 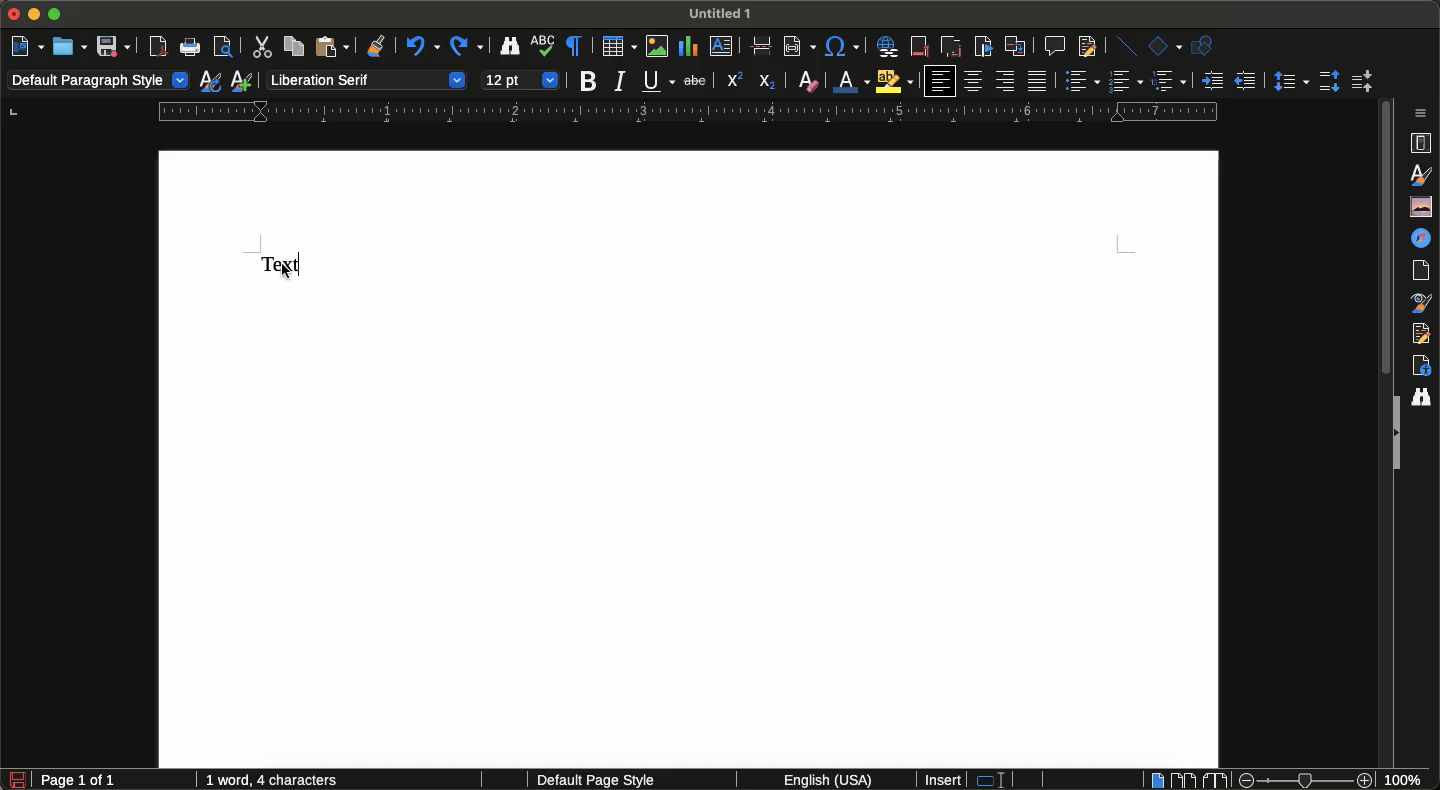 What do you see at coordinates (808, 81) in the screenshot?
I see `Clear direct formatting` at bounding box center [808, 81].